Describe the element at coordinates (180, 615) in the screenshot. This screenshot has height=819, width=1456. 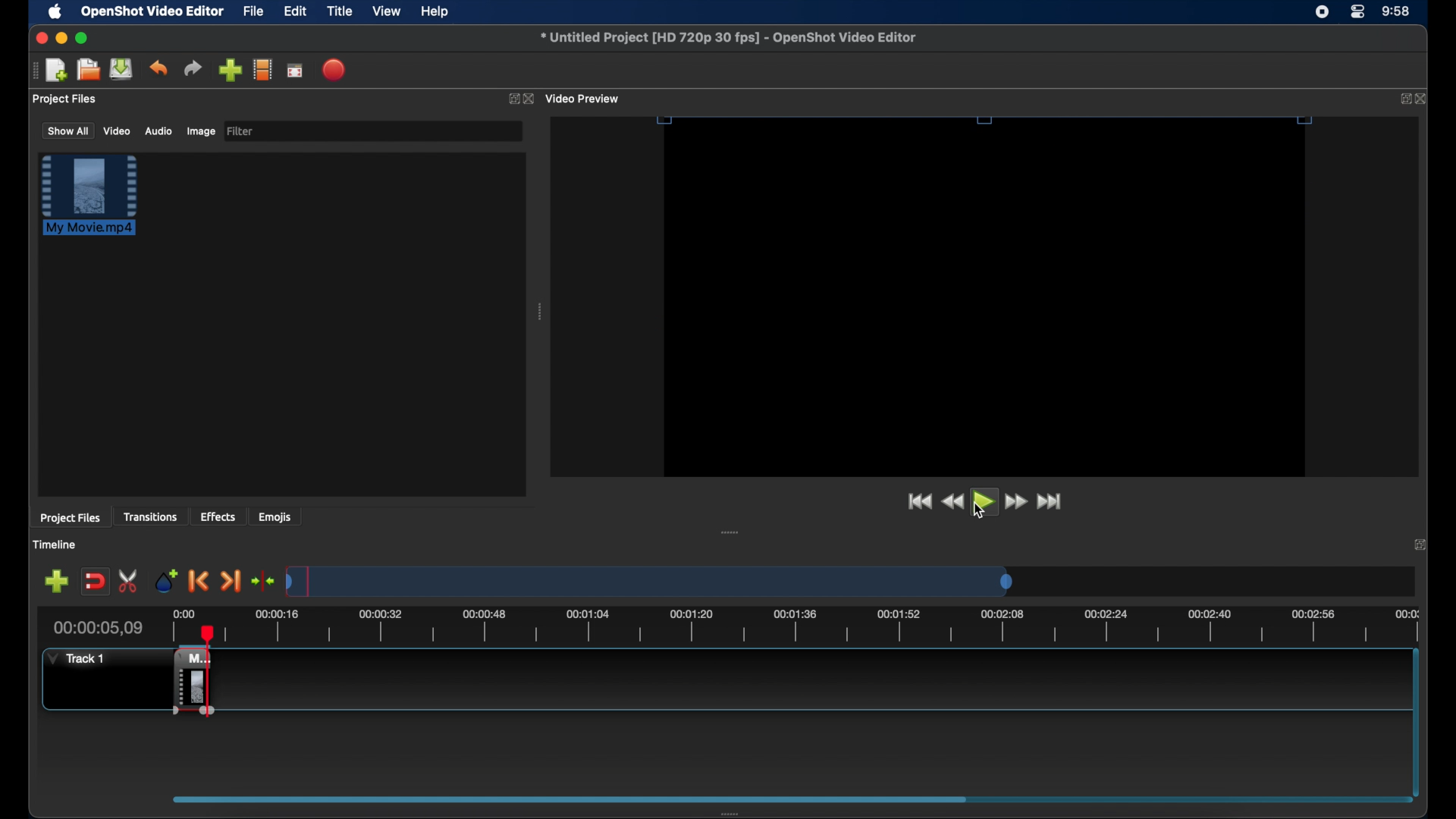
I see `0.00` at that location.